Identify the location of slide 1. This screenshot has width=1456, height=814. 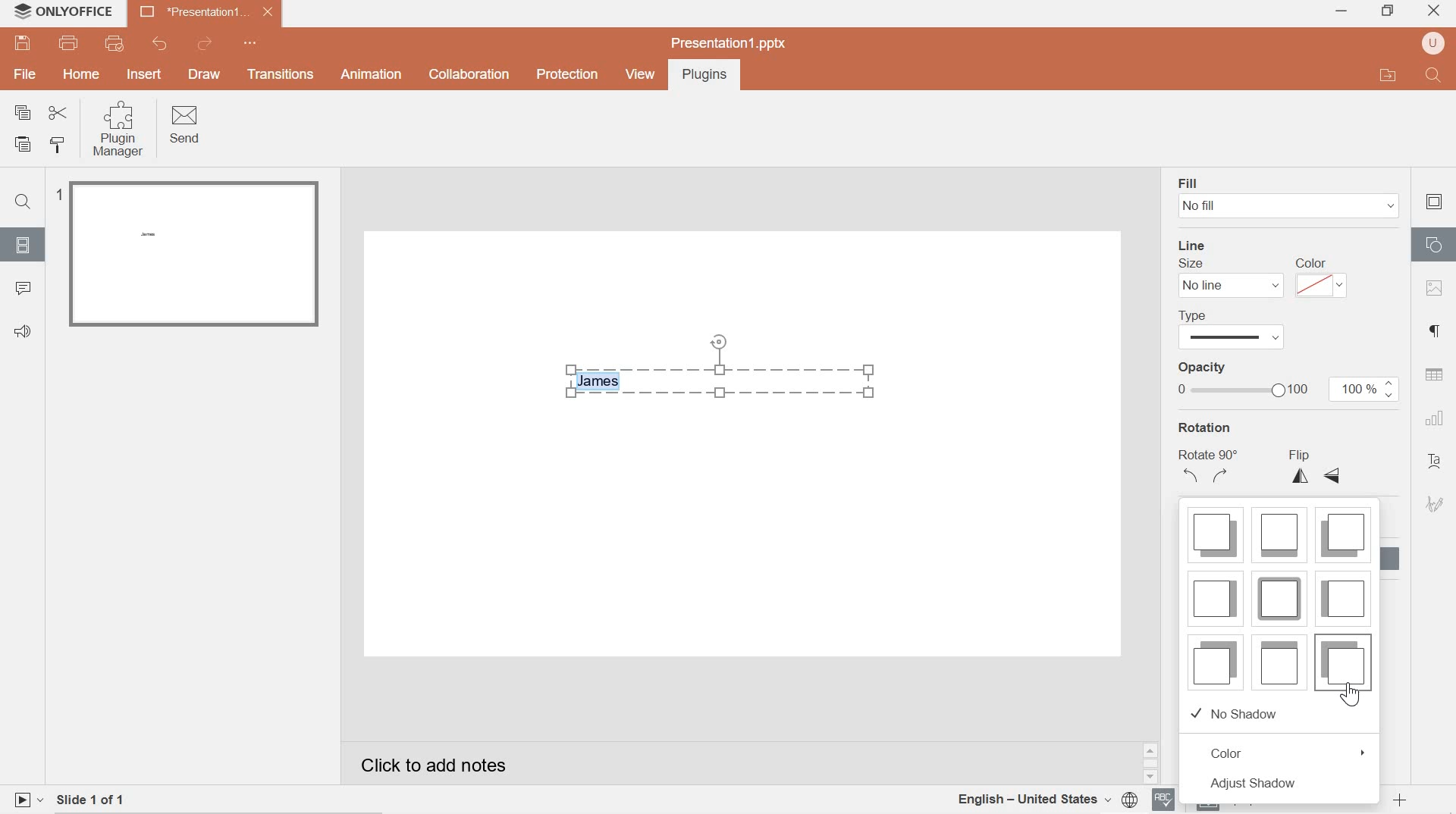
(190, 254).